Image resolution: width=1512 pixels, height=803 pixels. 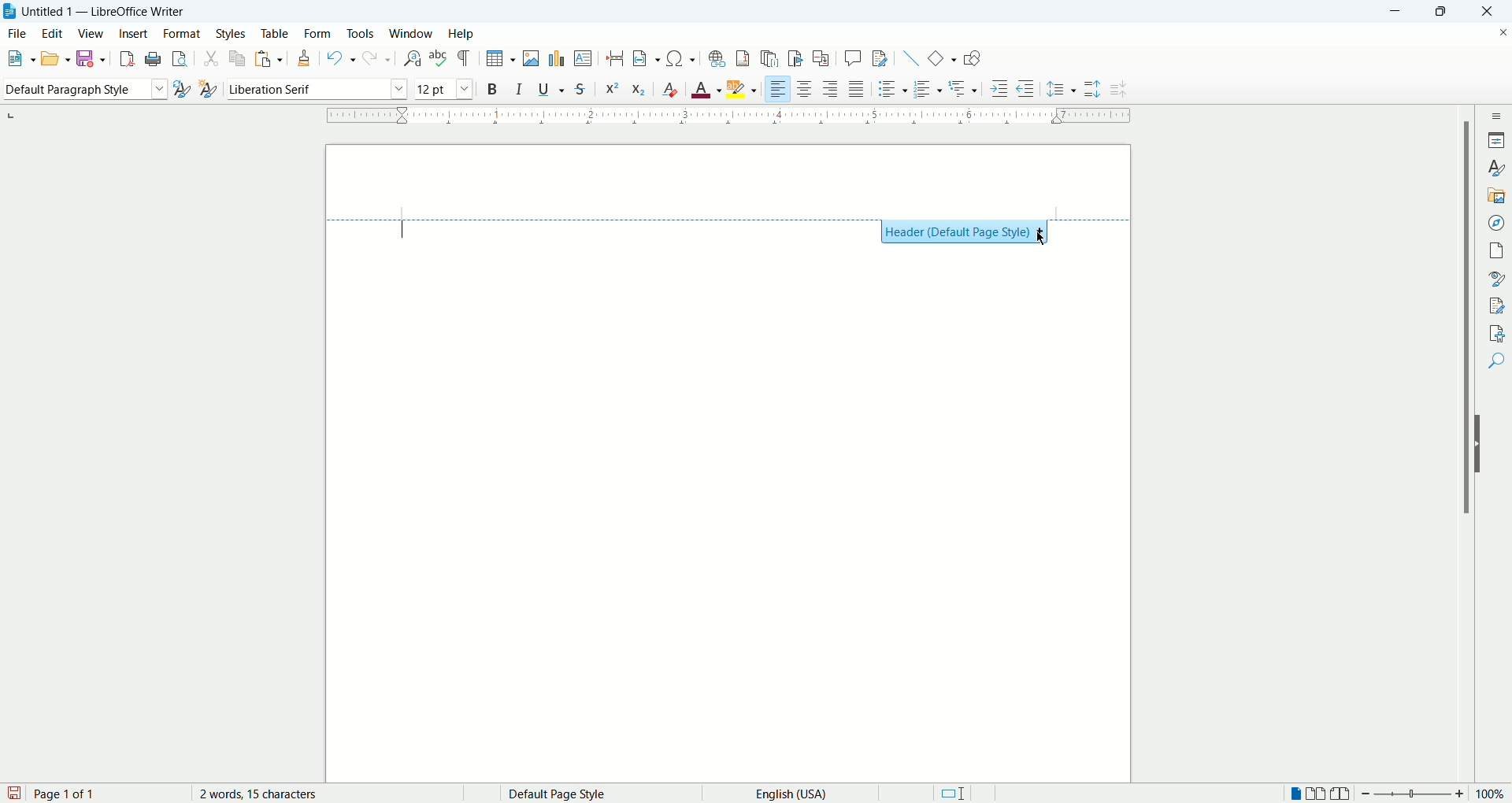 What do you see at coordinates (879, 59) in the screenshot?
I see `track changes` at bounding box center [879, 59].